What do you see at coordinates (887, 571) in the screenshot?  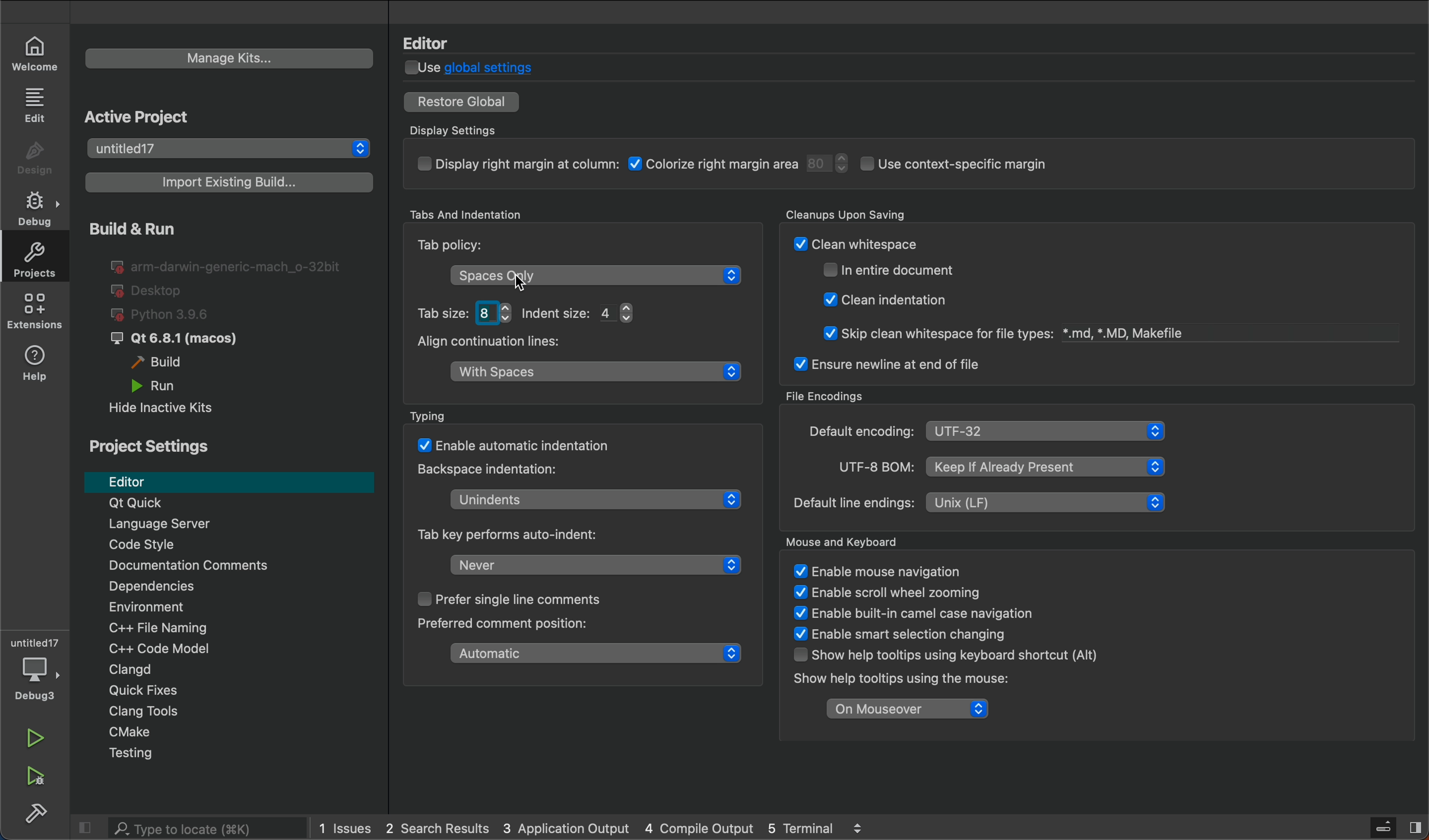 I see `enable mouse navigation` at bounding box center [887, 571].